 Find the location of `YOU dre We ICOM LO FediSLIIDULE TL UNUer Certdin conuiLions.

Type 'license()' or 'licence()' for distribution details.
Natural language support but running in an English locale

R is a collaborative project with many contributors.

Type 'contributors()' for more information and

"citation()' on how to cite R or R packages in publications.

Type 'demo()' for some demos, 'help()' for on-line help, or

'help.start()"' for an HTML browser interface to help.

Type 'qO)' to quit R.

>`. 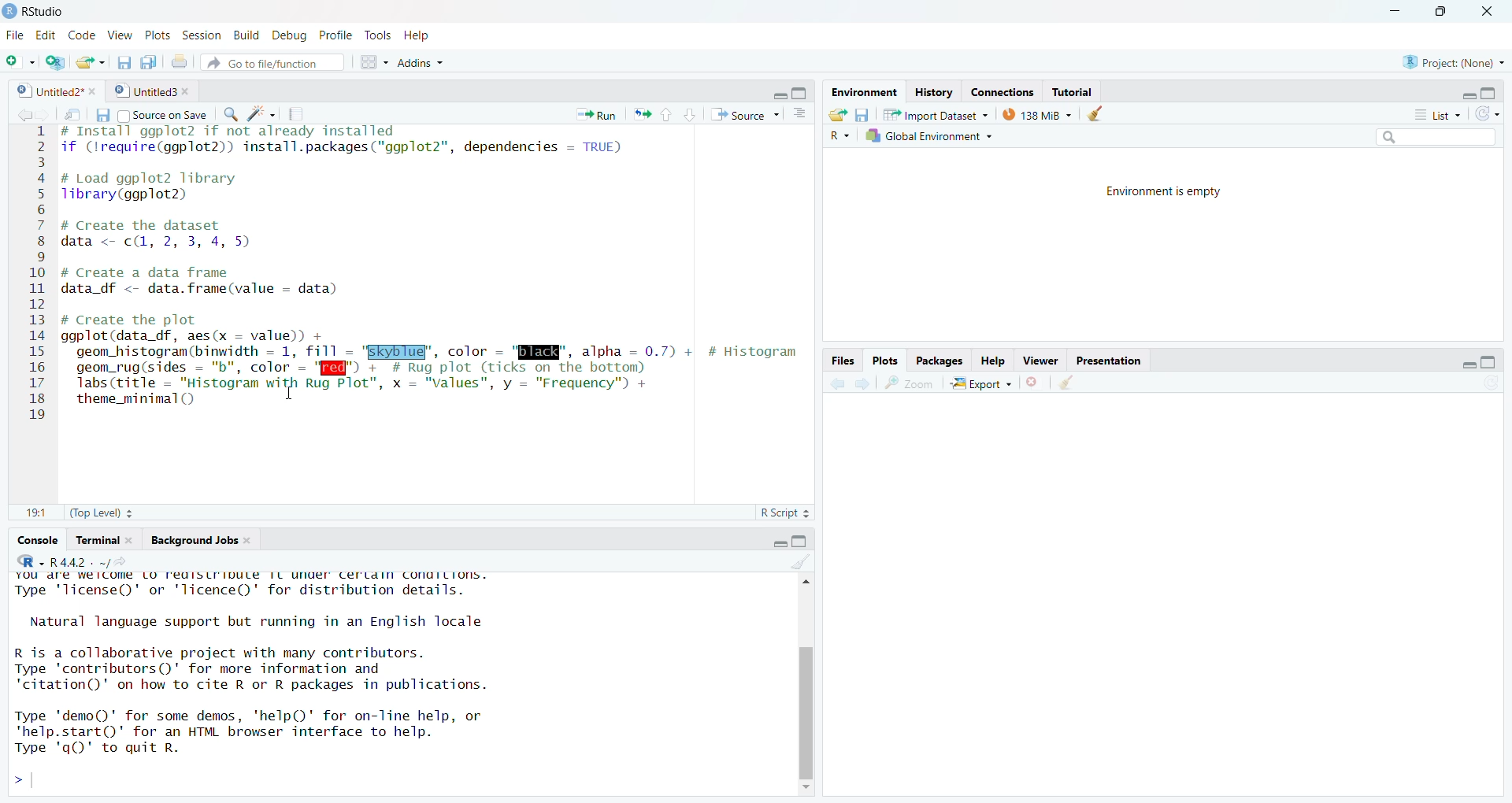

YOU dre We ICOM LO FediSLIIDULE TL UNUer Certdin conuiLions.

Type 'license()' or 'licence()' for distribution details.
Natural language support but running in an English locale

R is a collaborative project with many contributors.

Type 'contributors()' for more information and

"citation()' on how to cite R or R packages in publications.

Type 'demo()' for some demos, 'help()' for on-line help, or

'help.start()"' for an HTML browser interface to help.

Type 'qO)' to quit R.

> is located at coordinates (356, 670).